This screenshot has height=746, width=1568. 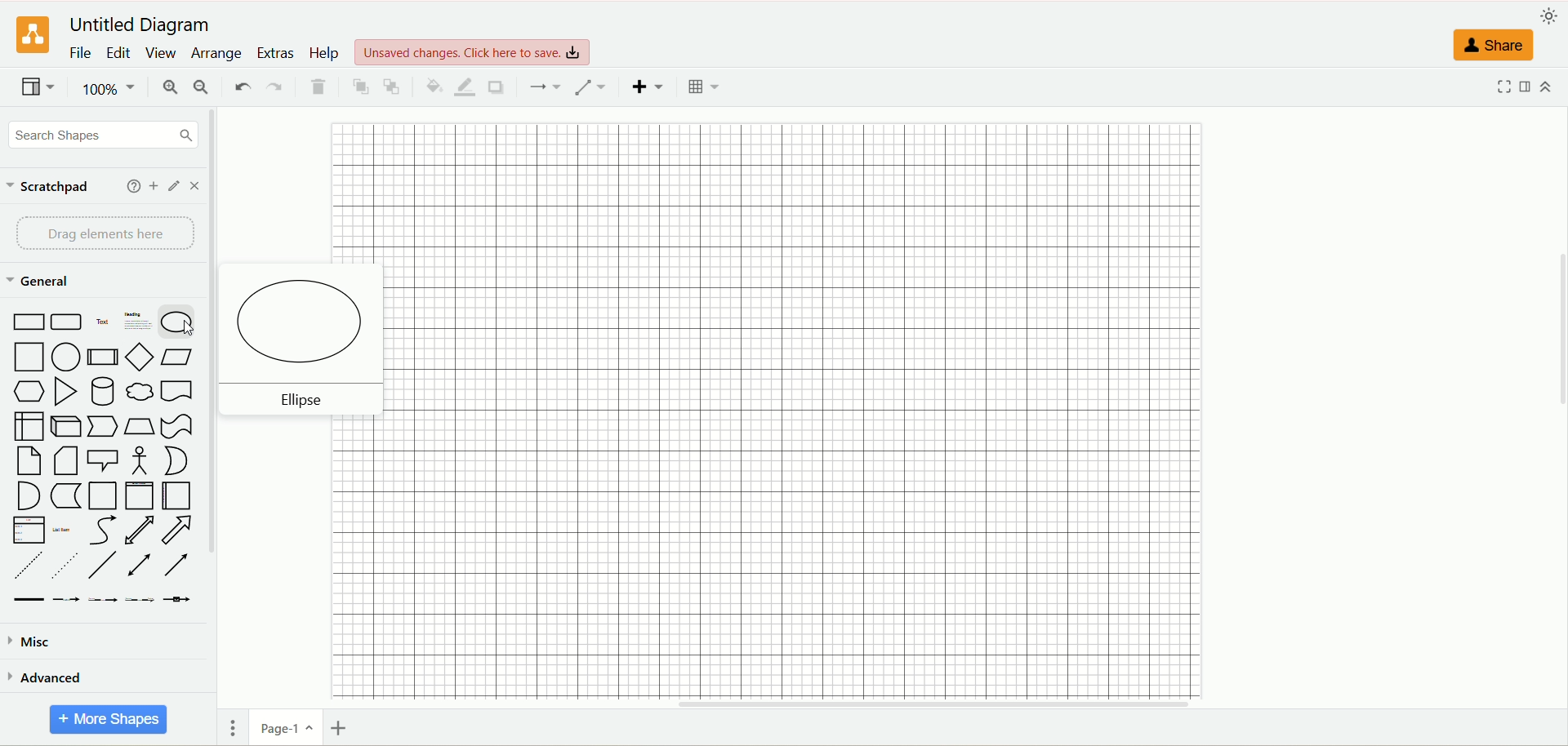 What do you see at coordinates (180, 495) in the screenshot?
I see `horizontal container` at bounding box center [180, 495].